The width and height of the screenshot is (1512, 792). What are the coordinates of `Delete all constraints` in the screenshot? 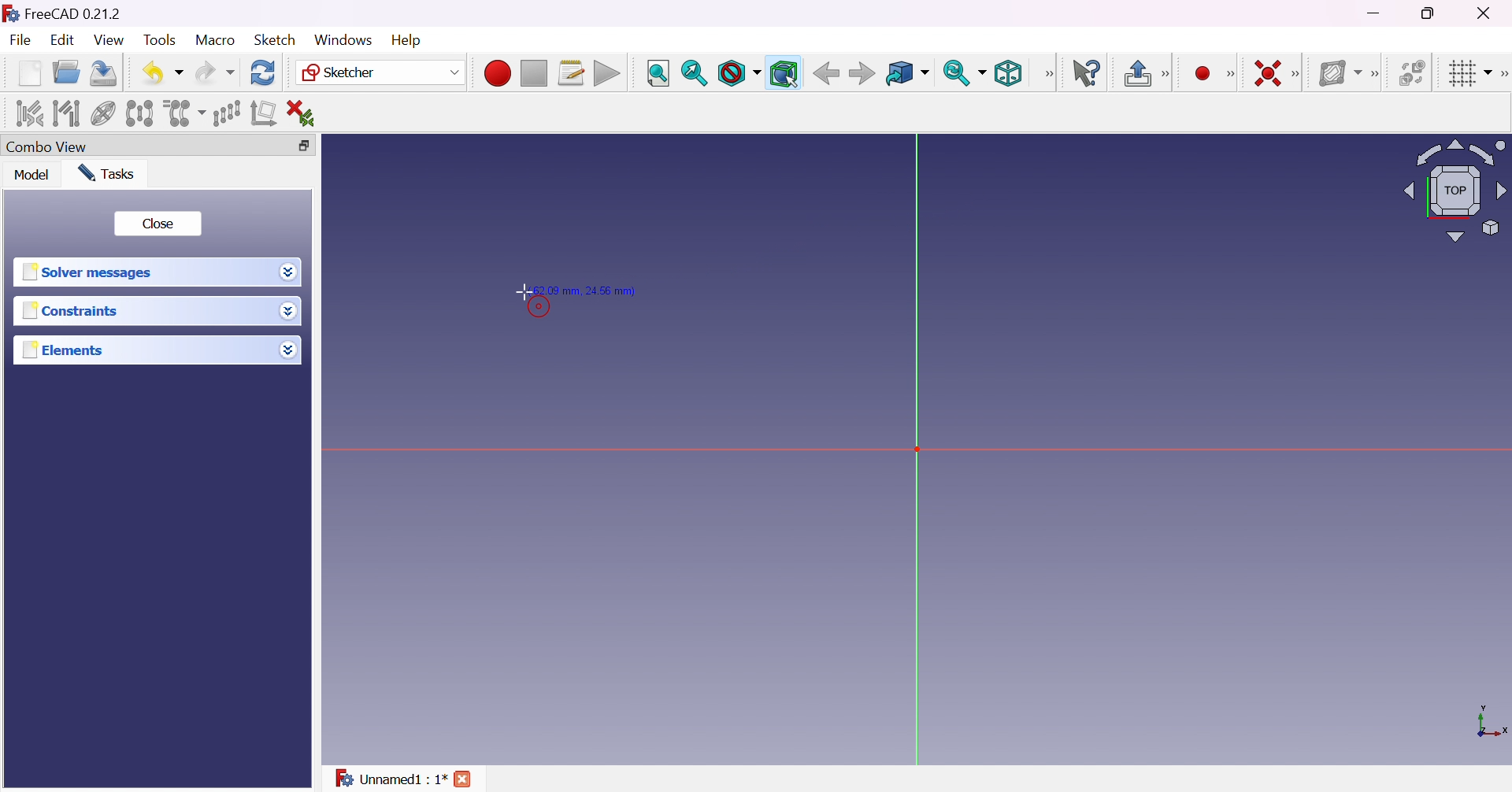 It's located at (306, 113).